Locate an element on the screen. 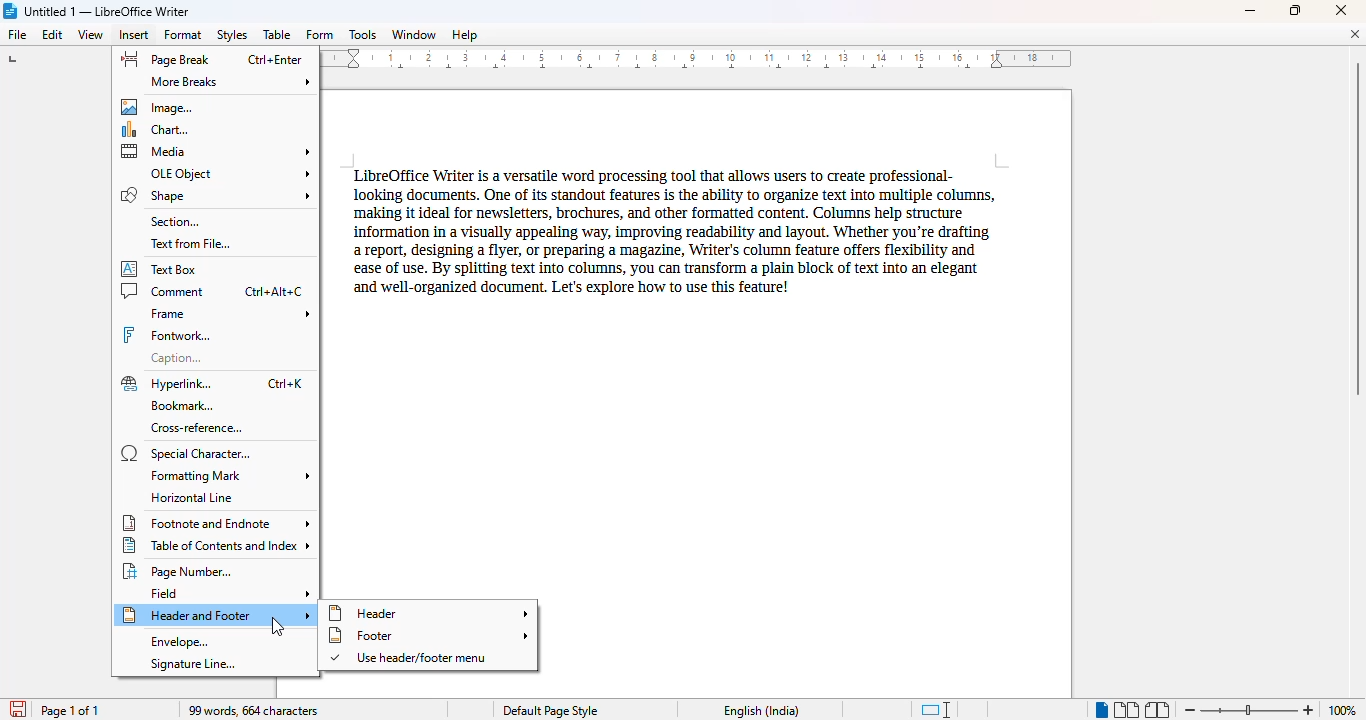  help is located at coordinates (464, 35).